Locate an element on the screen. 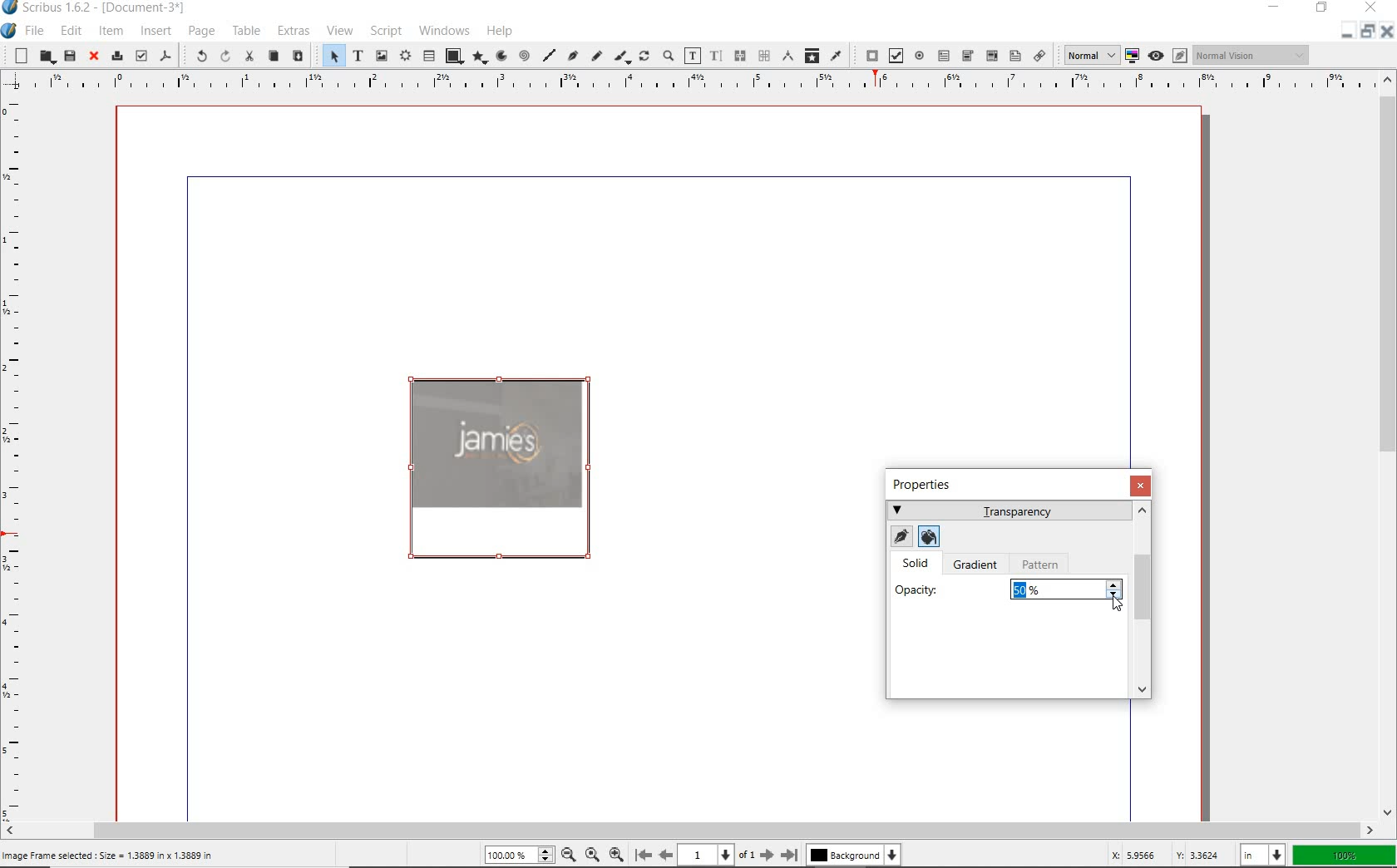 Image resolution: width=1397 pixels, height=868 pixels. text frame is located at coordinates (357, 55).